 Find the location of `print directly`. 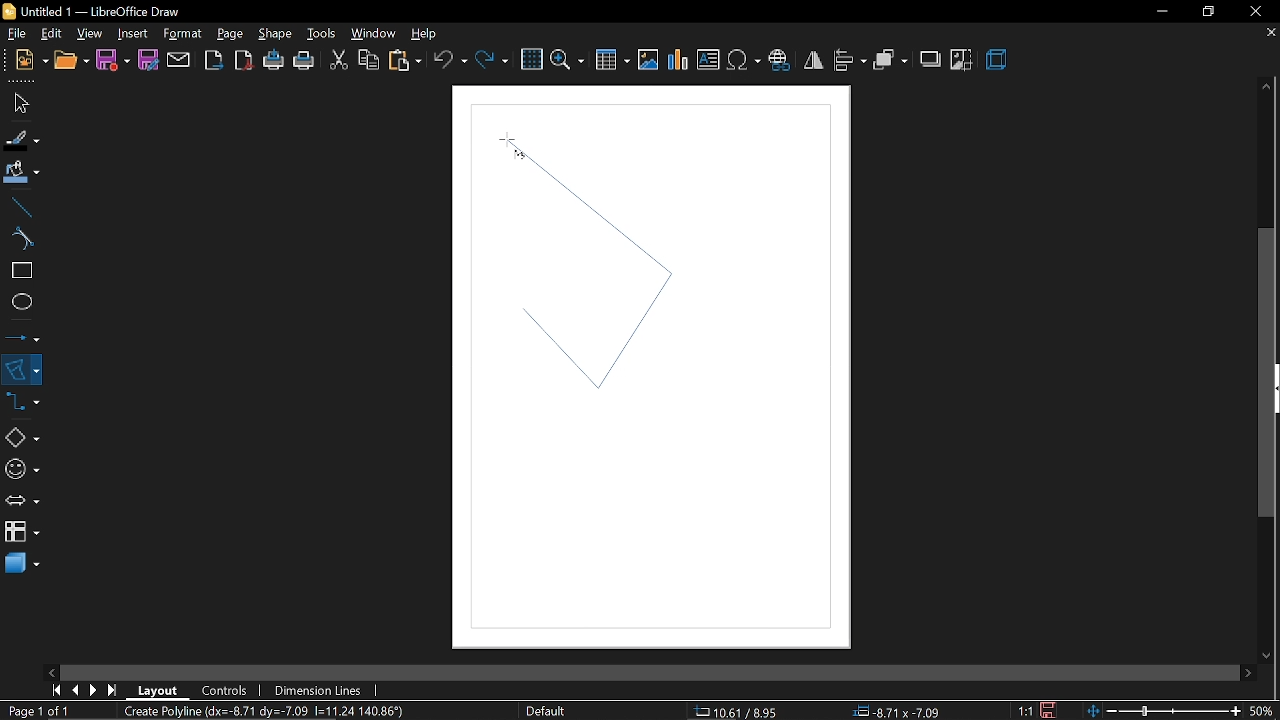

print directly is located at coordinates (275, 61).